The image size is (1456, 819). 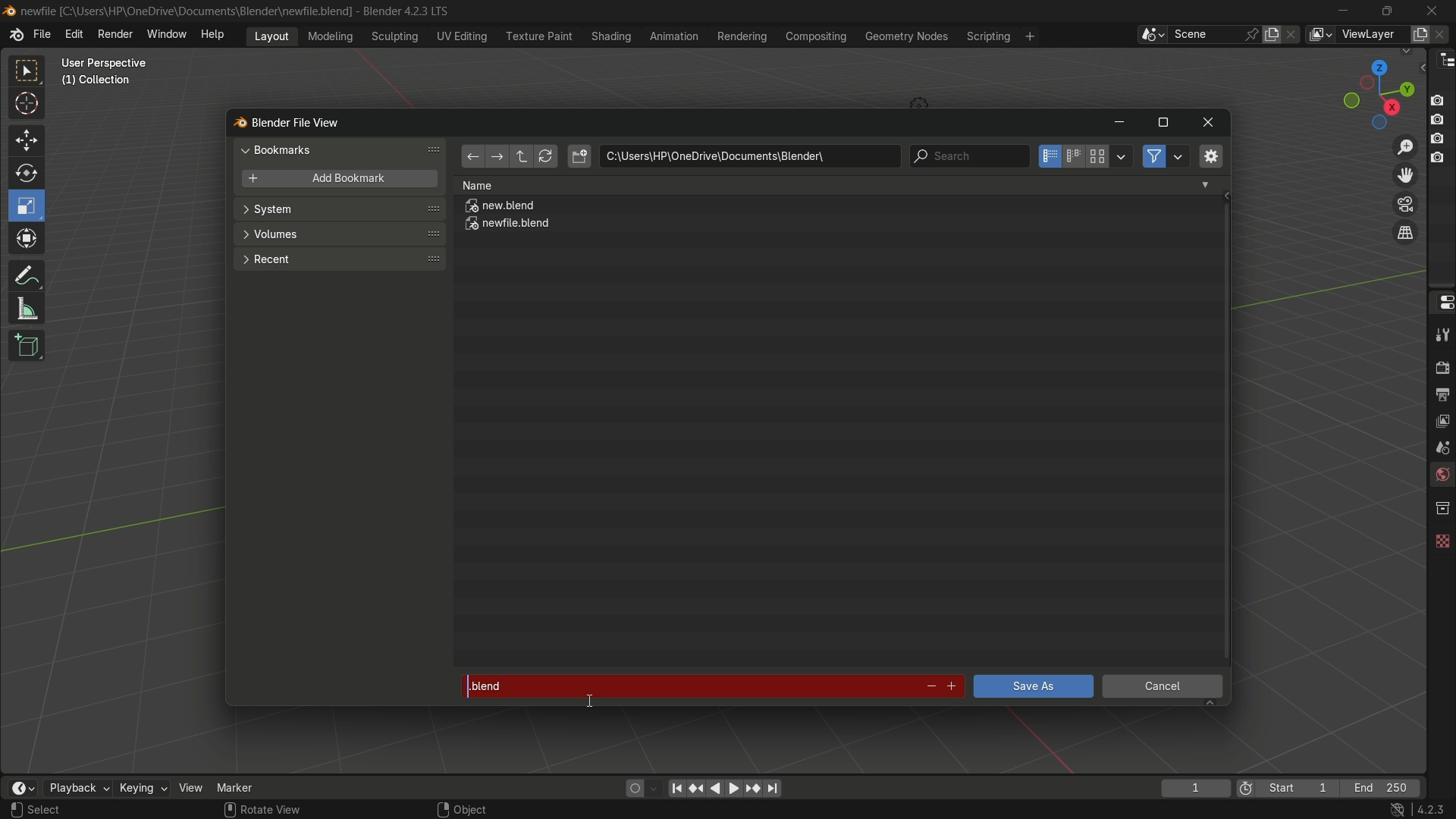 What do you see at coordinates (1028, 36) in the screenshot?
I see `add workspace` at bounding box center [1028, 36].